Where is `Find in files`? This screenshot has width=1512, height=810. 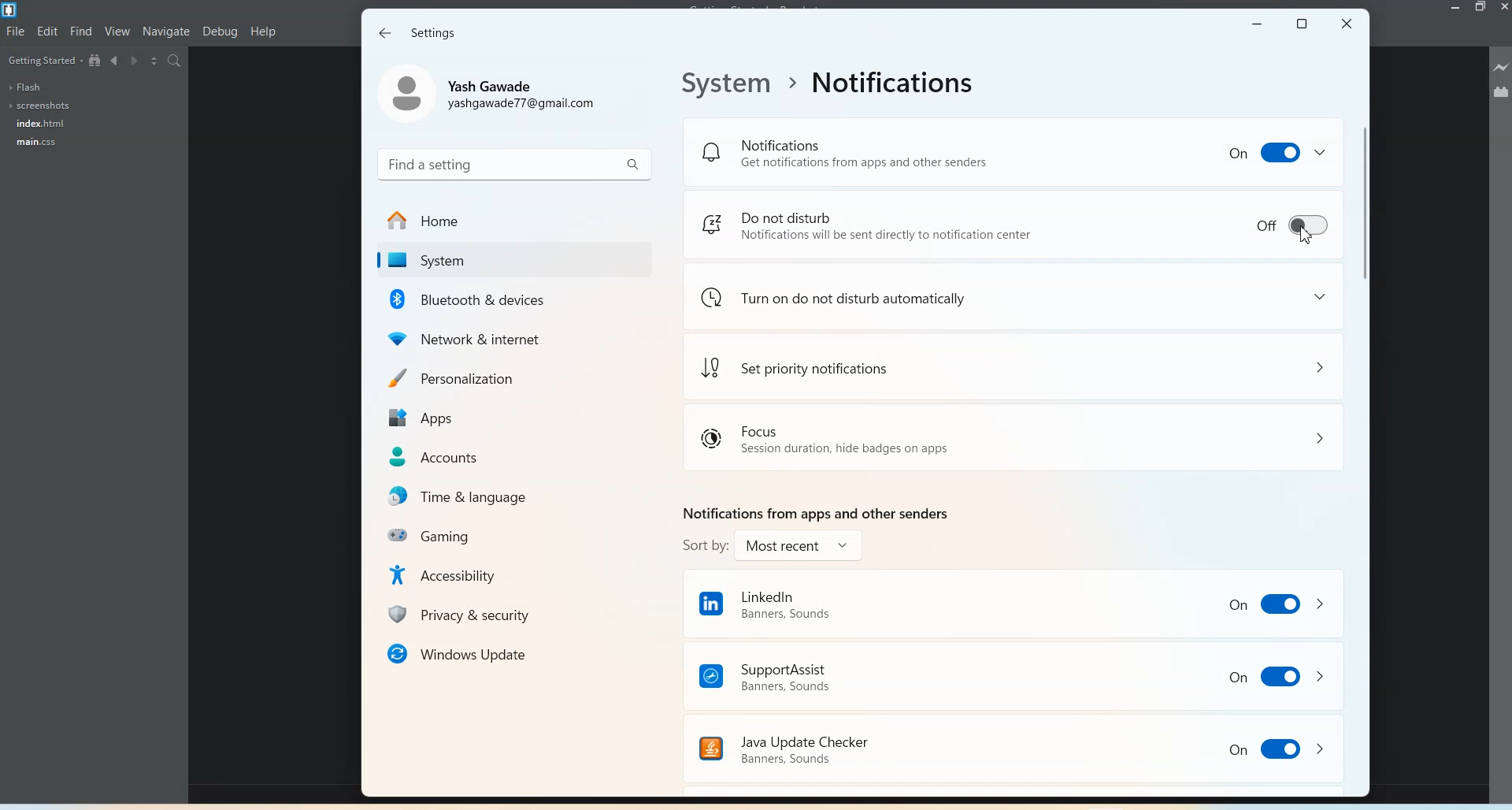
Find in files is located at coordinates (175, 61).